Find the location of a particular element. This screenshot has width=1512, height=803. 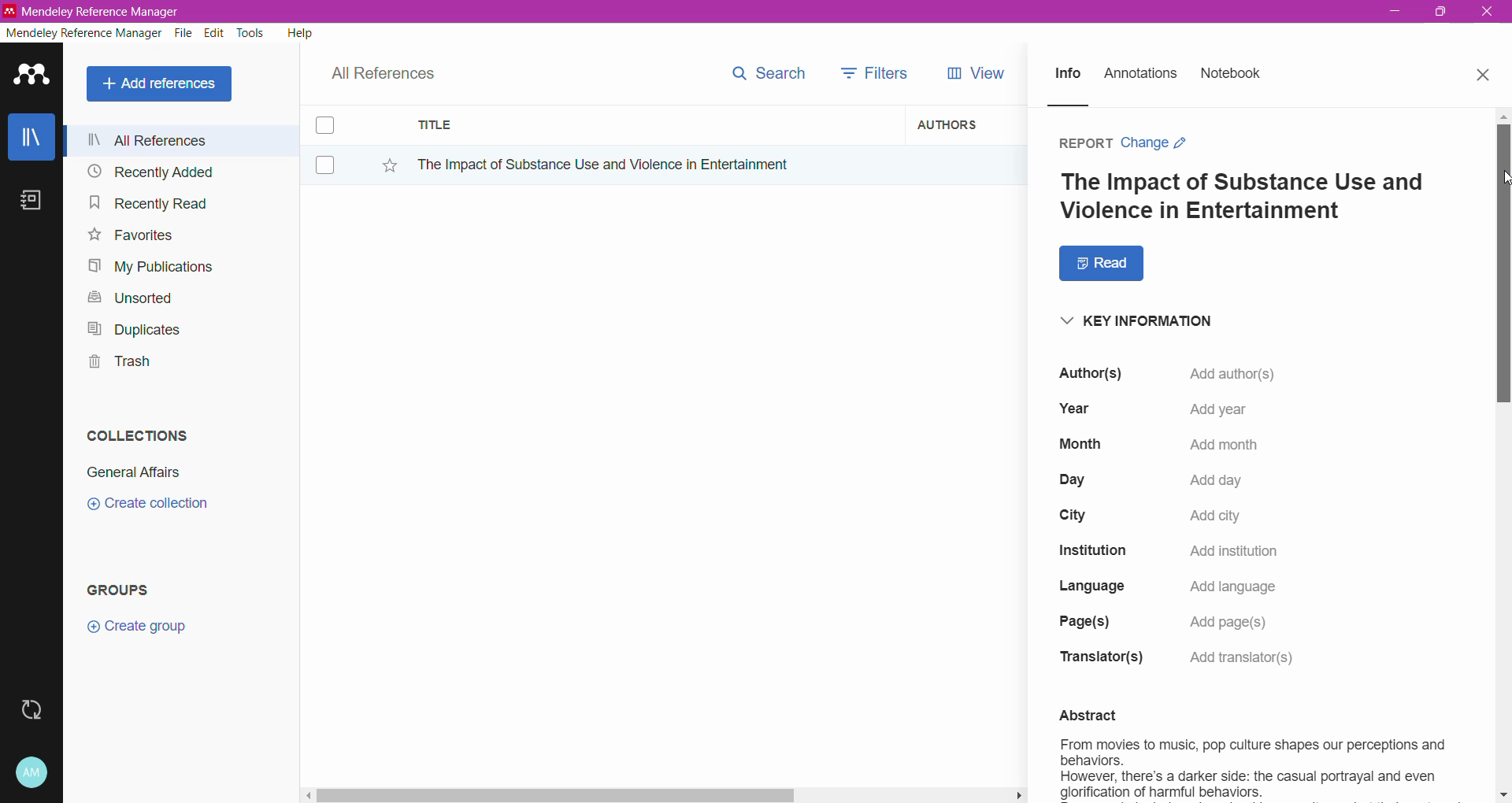

Restore Down is located at coordinates (1442, 13).